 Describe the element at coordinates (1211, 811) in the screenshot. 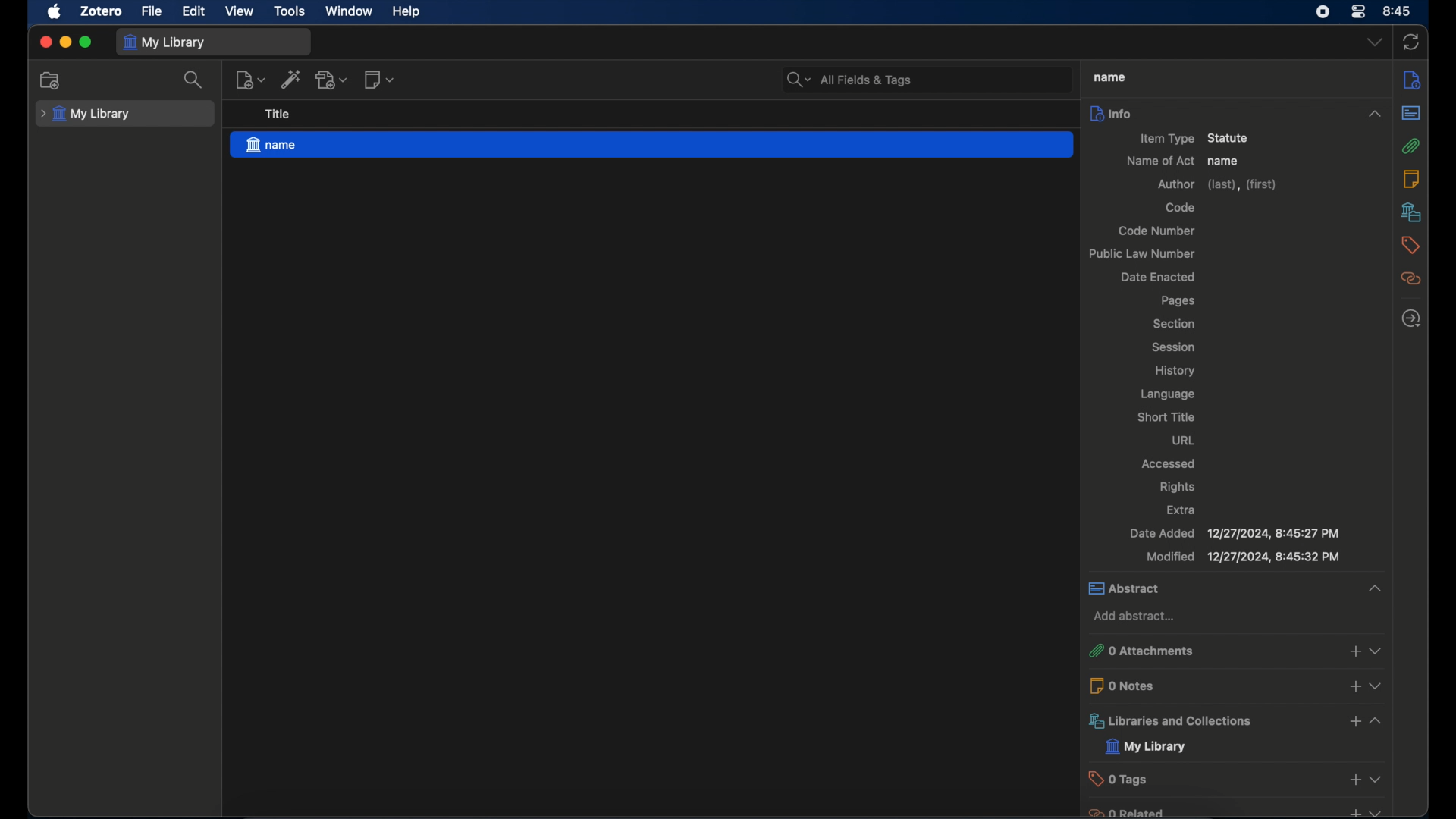

I see `0 related` at that location.